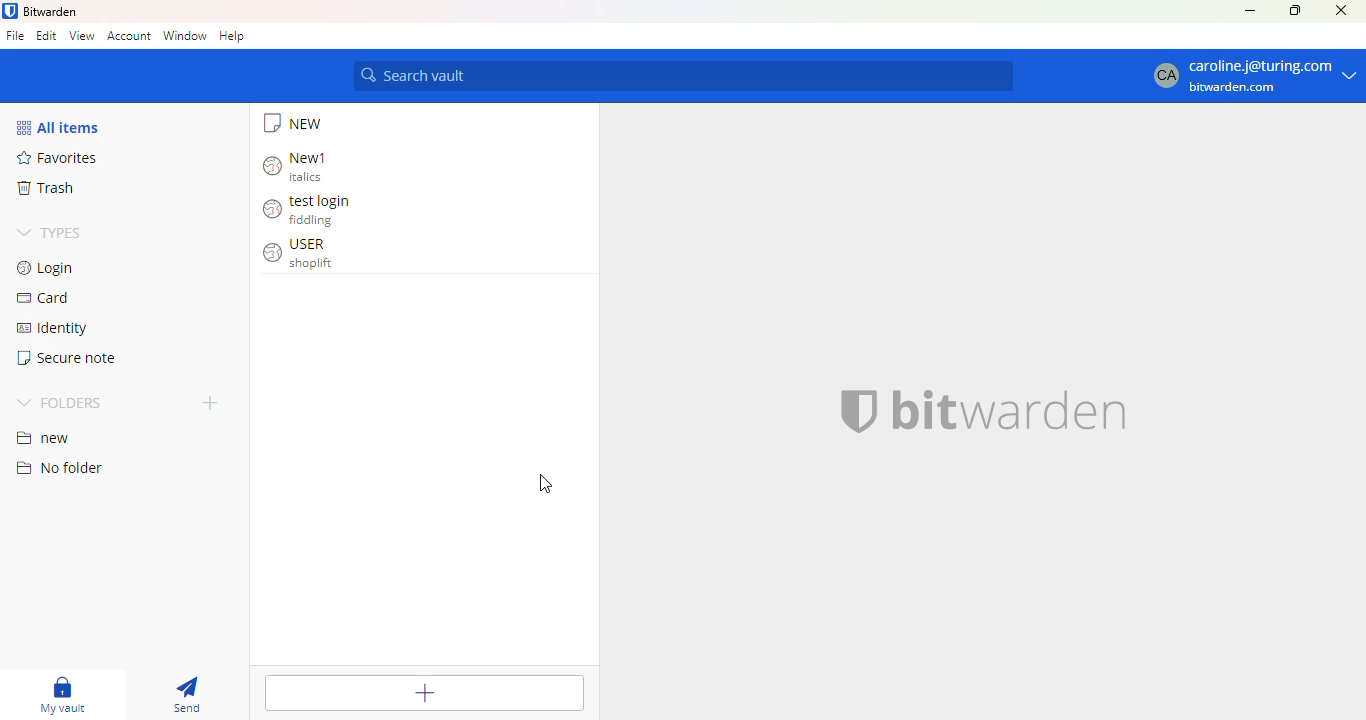  Describe the element at coordinates (185, 694) in the screenshot. I see `send` at that location.